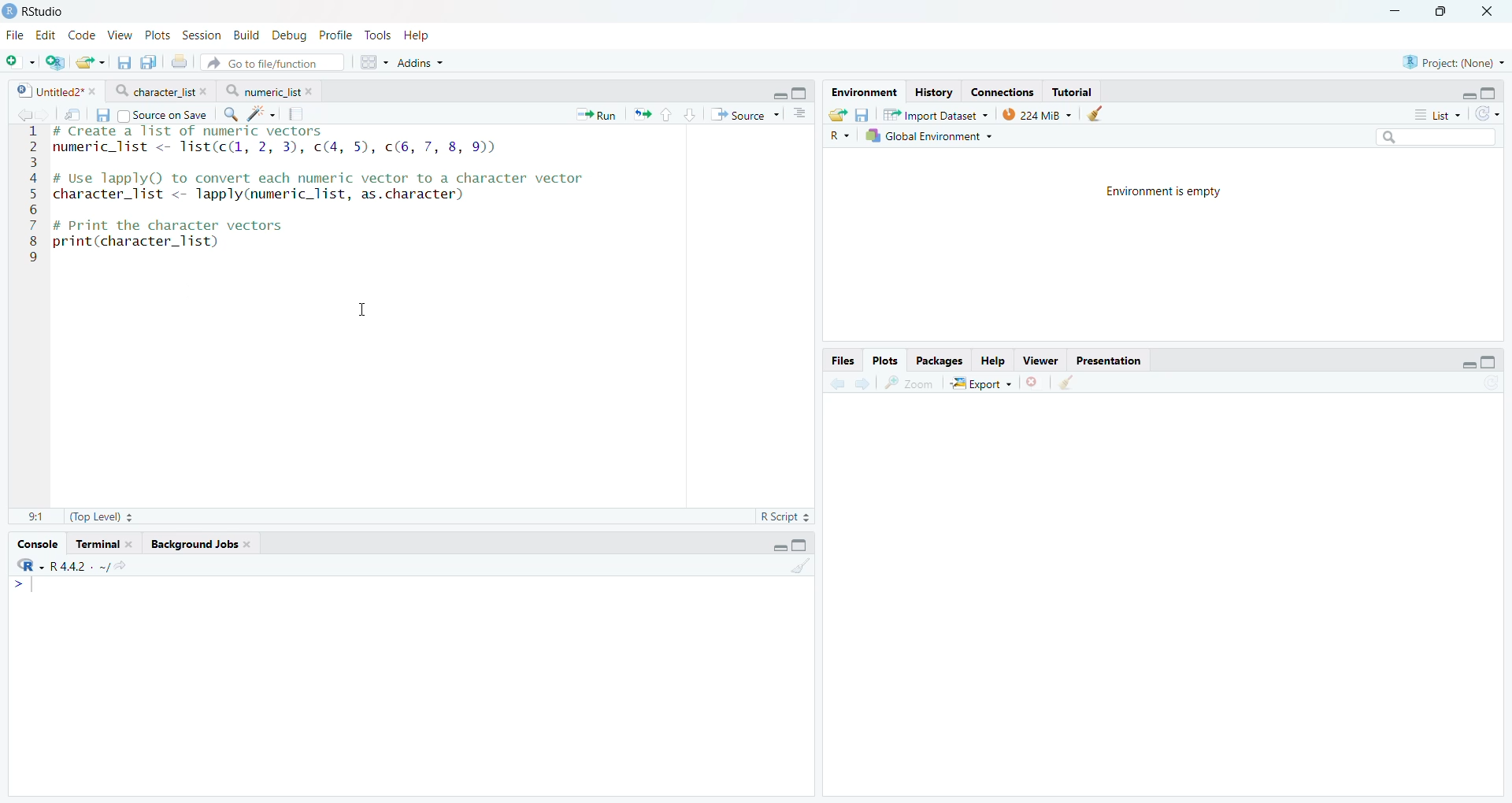 The width and height of the screenshot is (1512, 803). Describe the element at coordinates (839, 382) in the screenshot. I see `Go to previous plot` at that location.